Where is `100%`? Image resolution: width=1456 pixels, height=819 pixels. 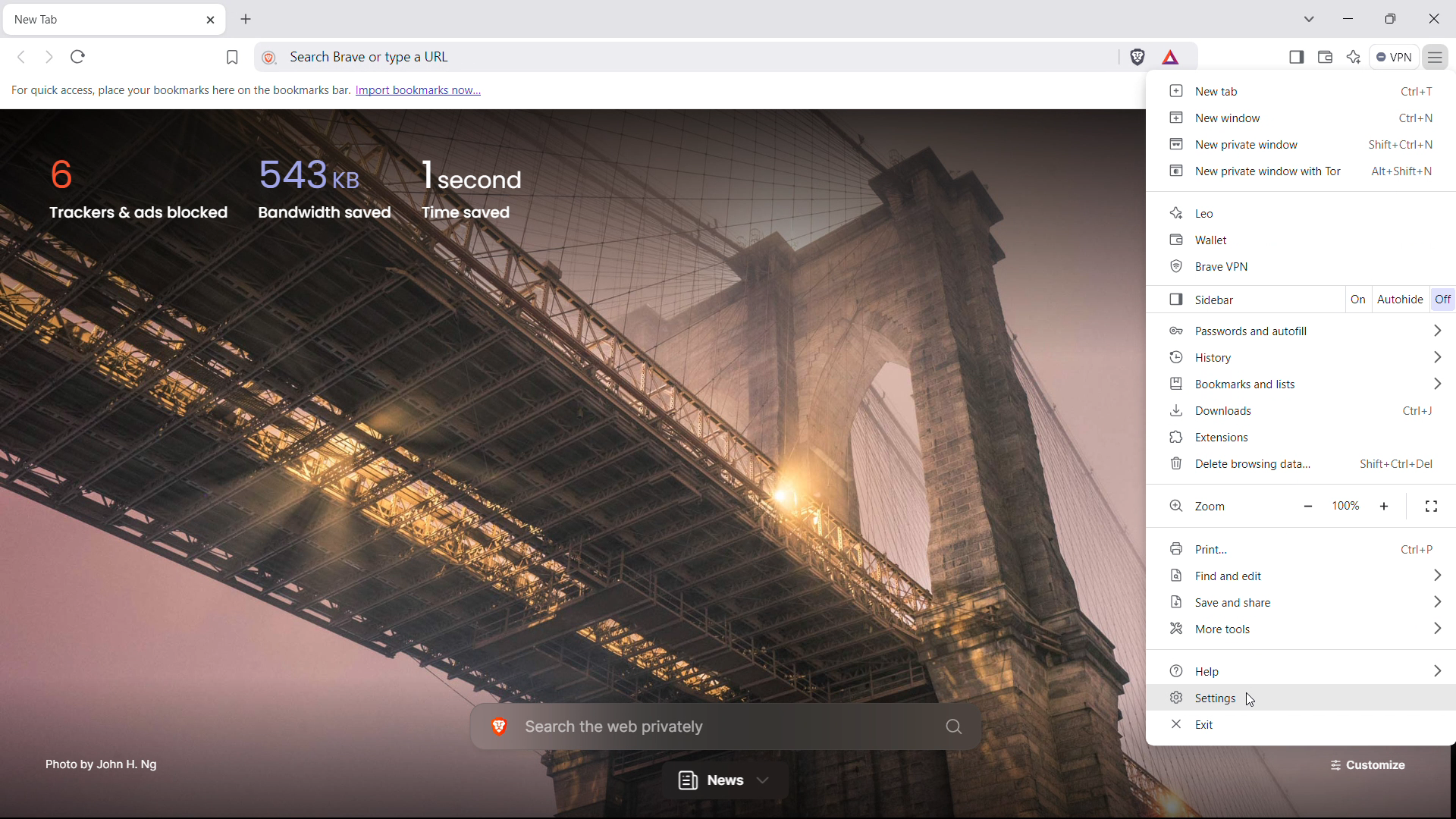
100% is located at coordinates (1347, 505).